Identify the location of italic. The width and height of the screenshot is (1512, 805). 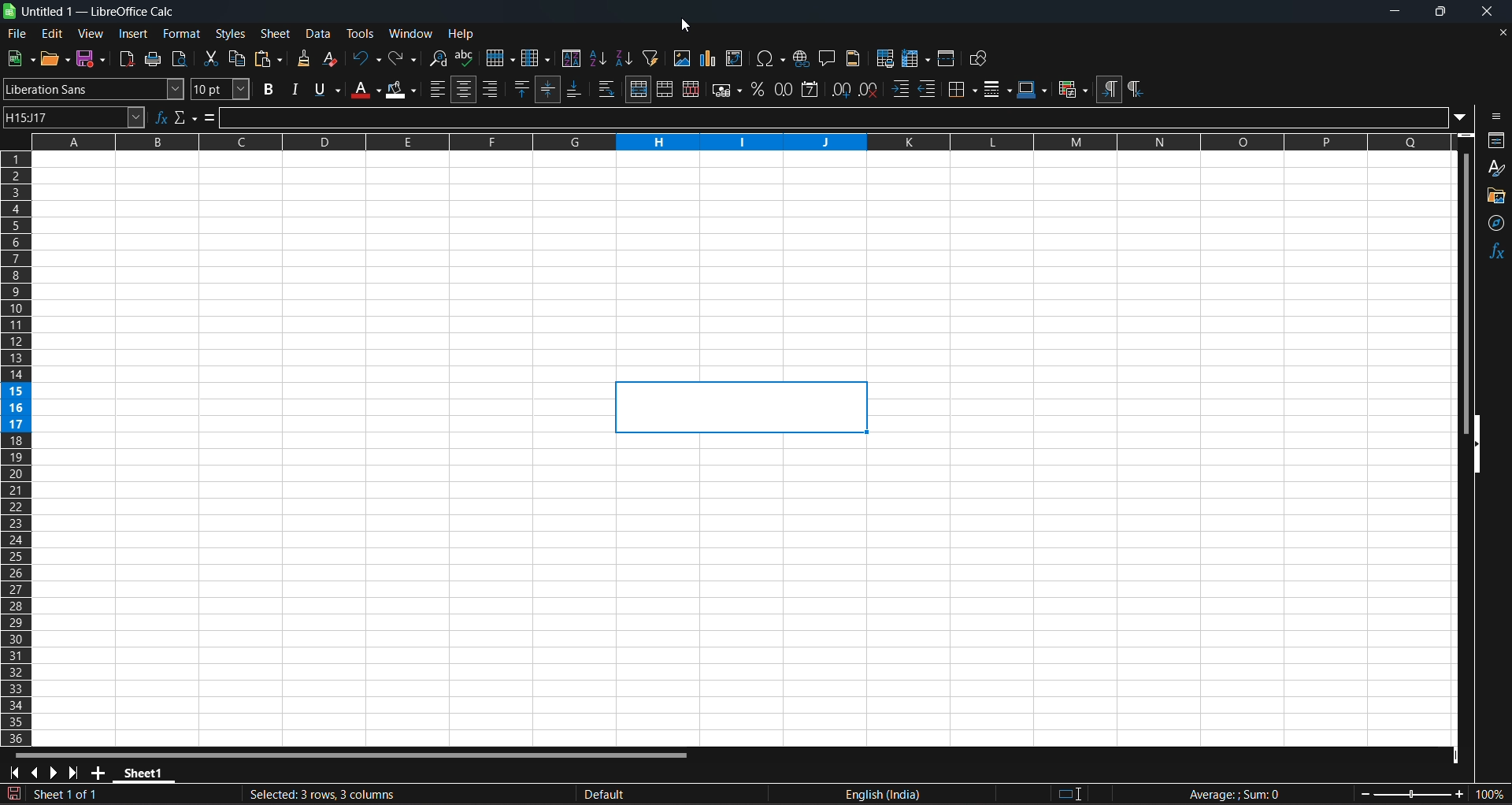
(294, 90).